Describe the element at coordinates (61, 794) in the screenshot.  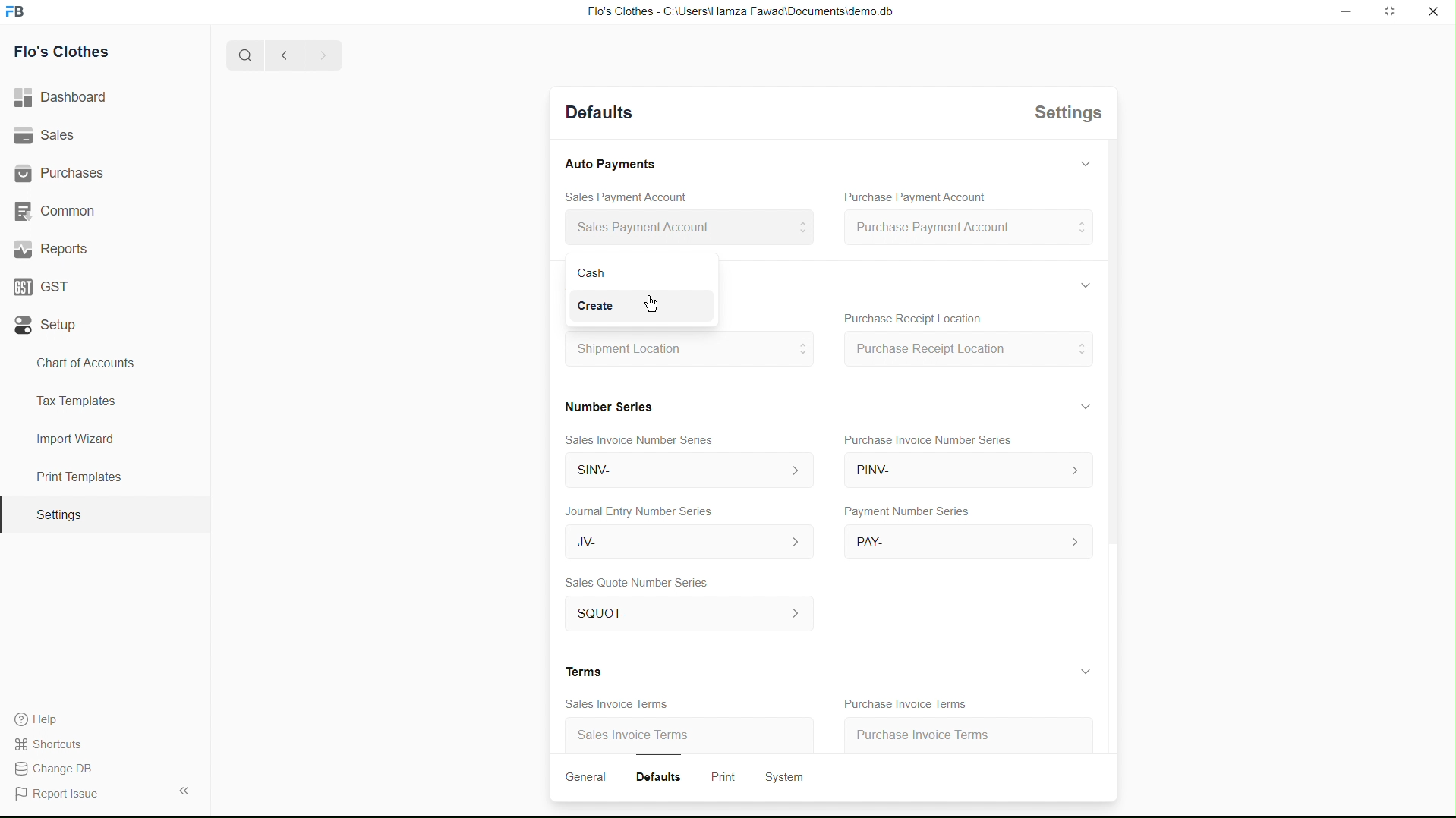
I see `Report Issue` at that location.